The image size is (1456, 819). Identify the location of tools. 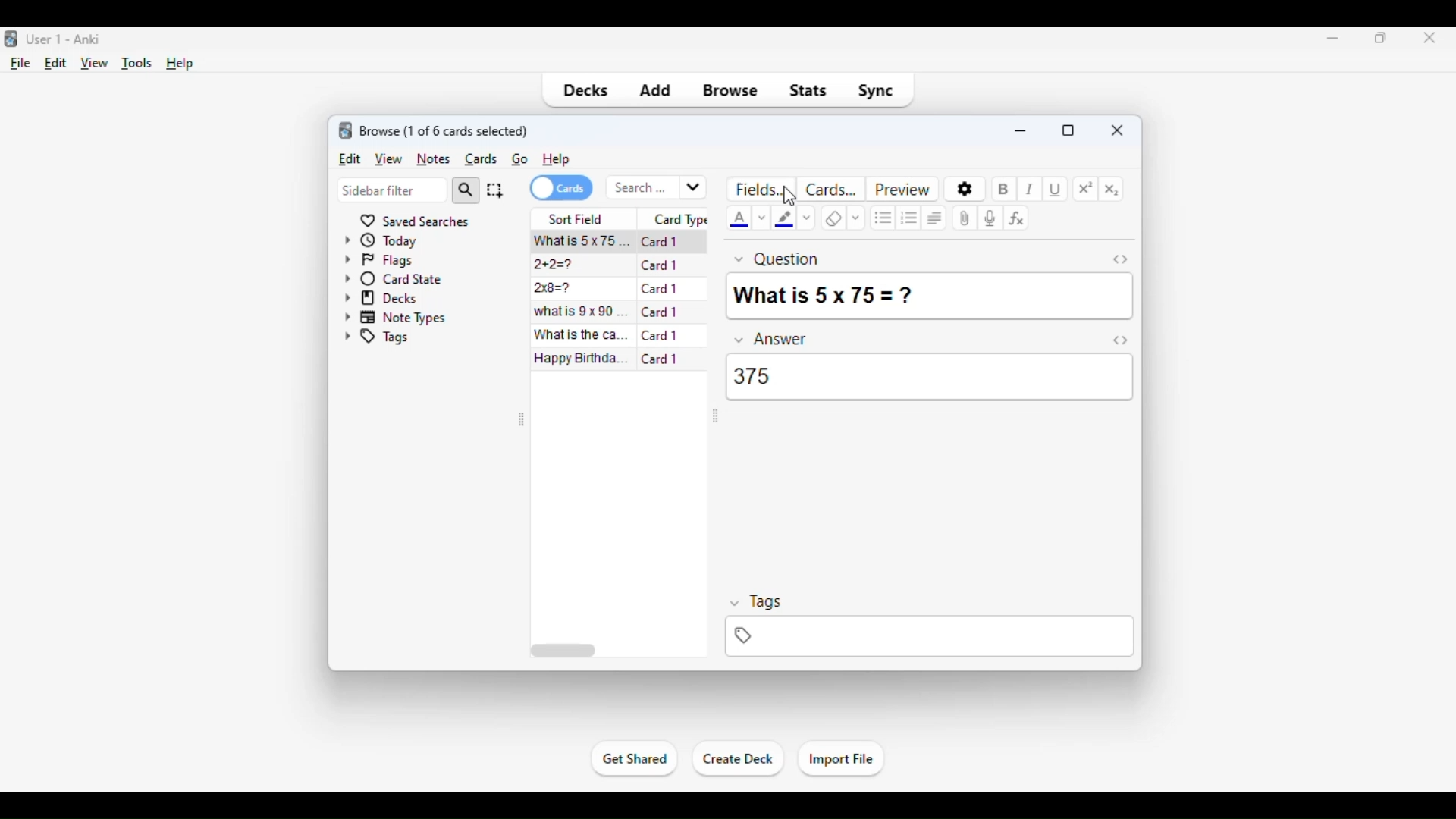
(138, 64).